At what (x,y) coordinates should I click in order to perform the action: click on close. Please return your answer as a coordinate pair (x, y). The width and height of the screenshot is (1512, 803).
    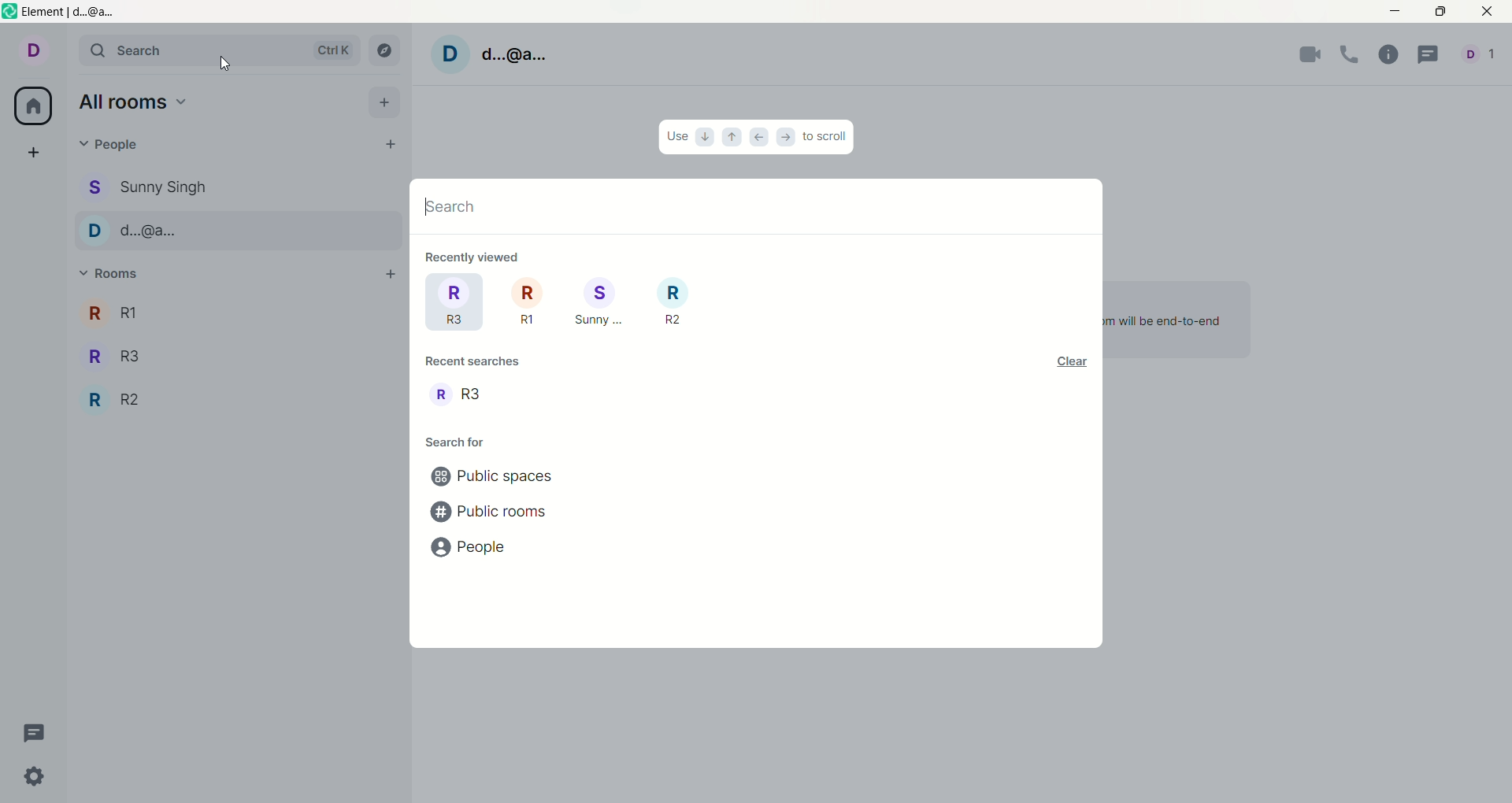
    Looking at the image, I should click on (1483, 13).